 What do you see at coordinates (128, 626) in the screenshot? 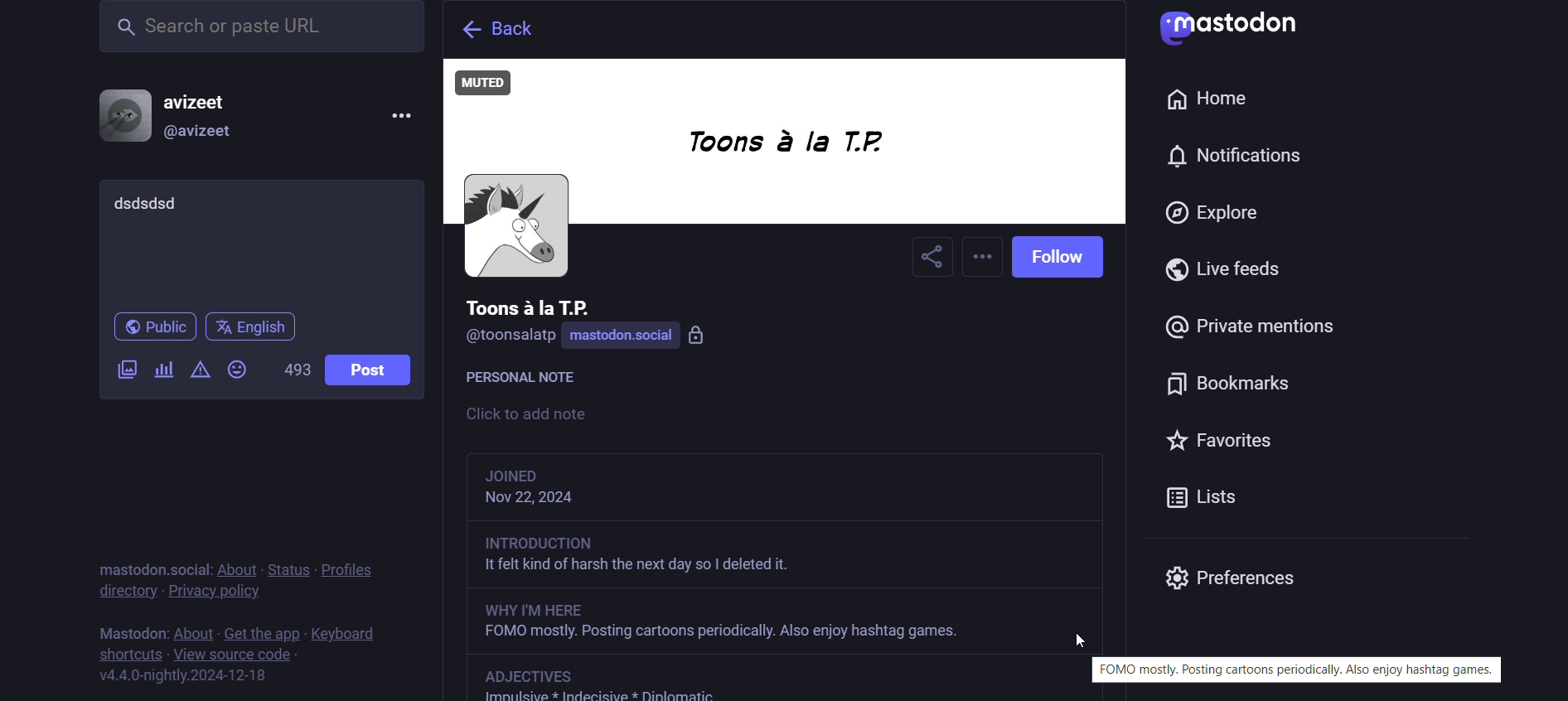
I see `text` at bounding box center [128, 626].